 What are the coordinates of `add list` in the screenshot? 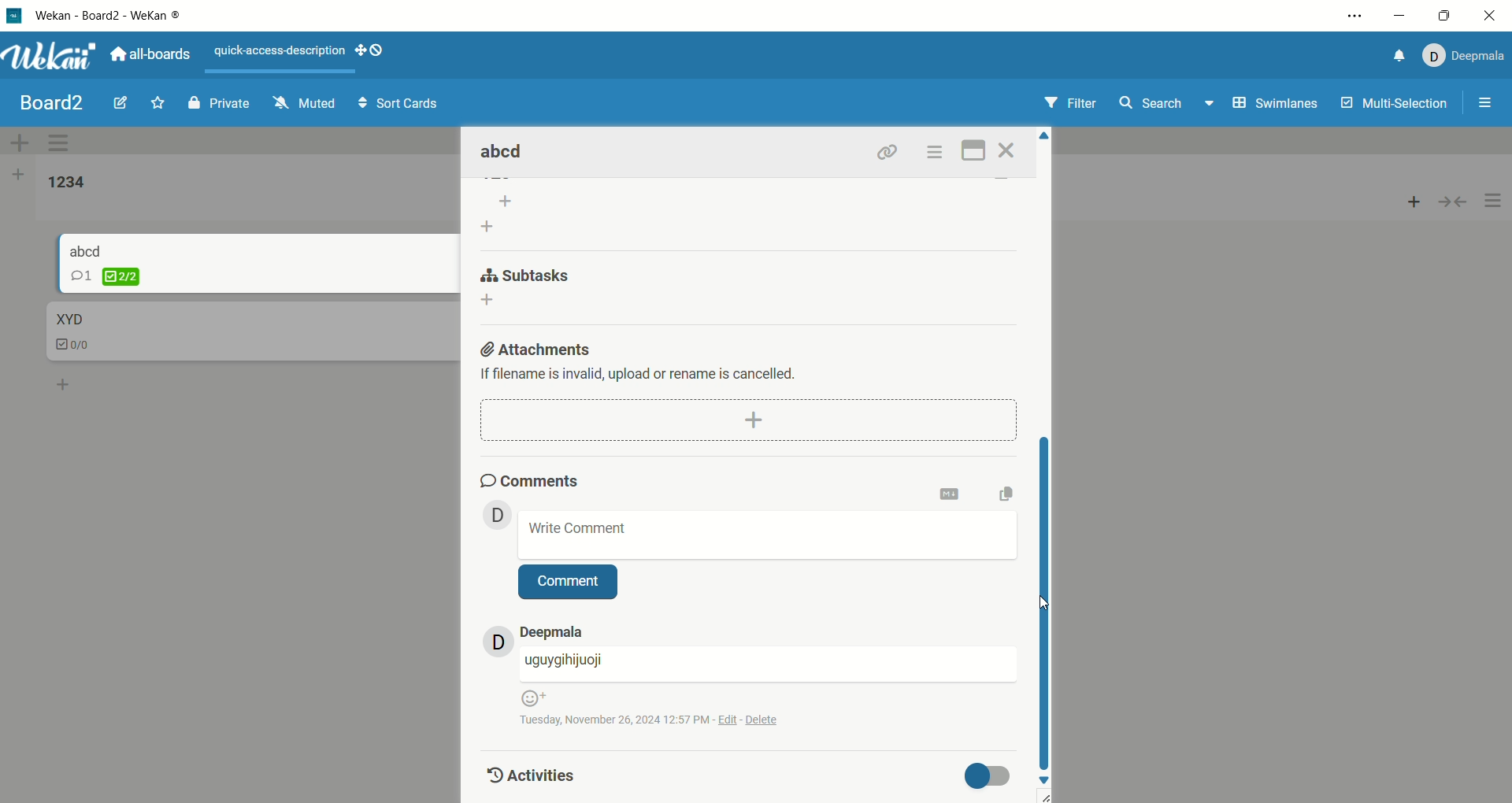 It's located at (18, 177).